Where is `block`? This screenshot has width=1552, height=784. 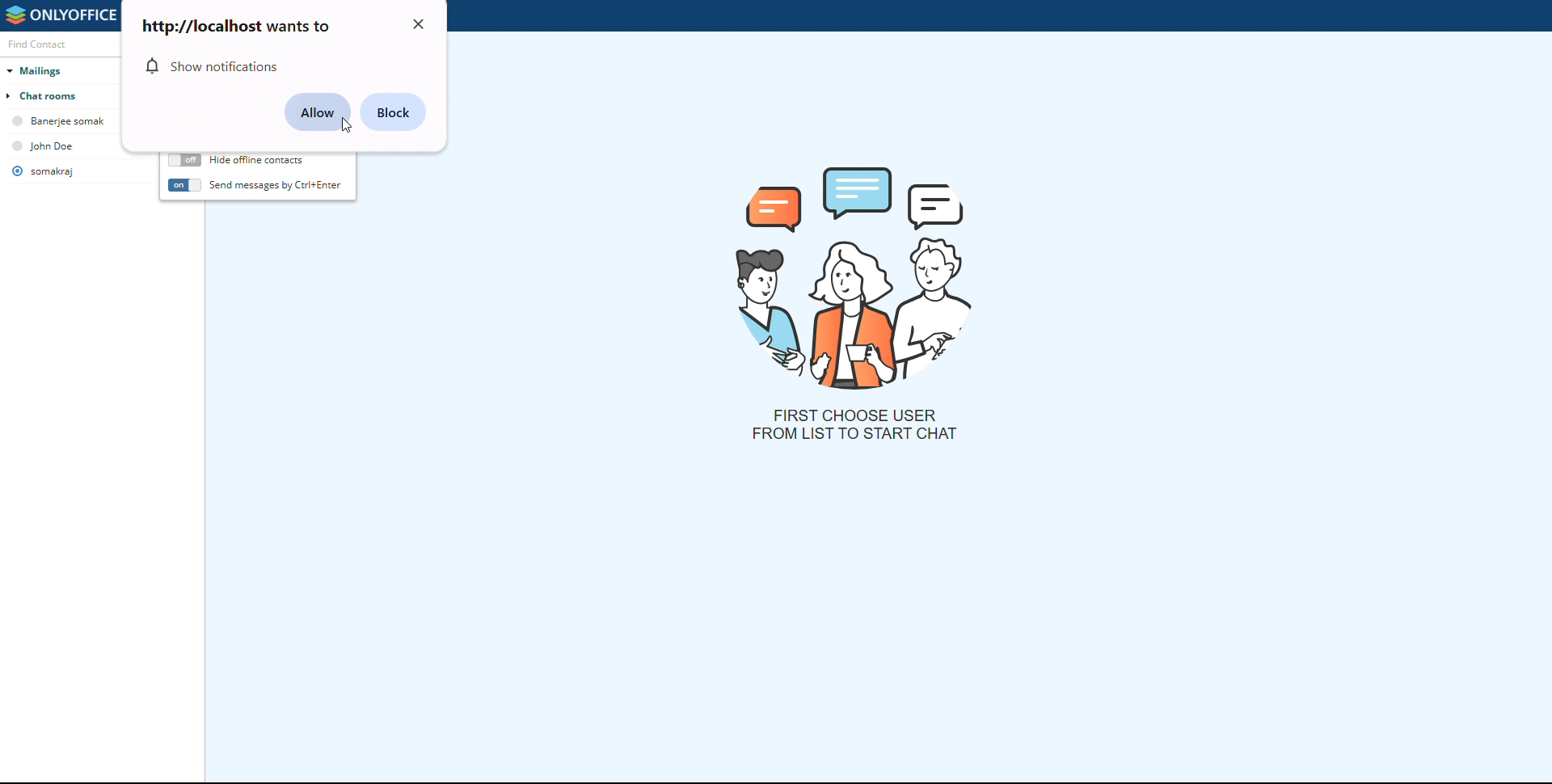 block is located at coordinates (394, 112).